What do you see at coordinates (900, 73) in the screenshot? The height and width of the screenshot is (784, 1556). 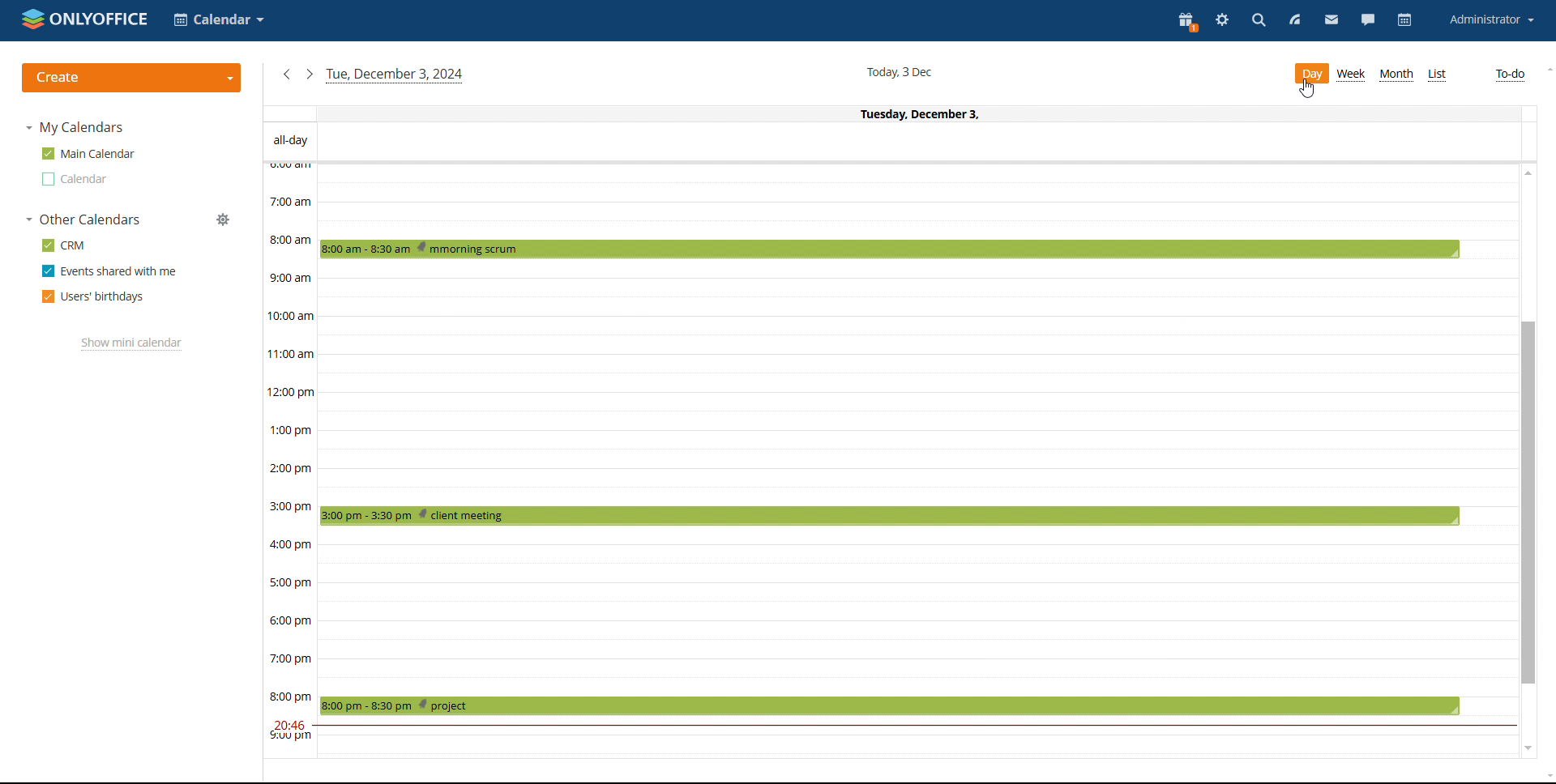 I see `current date` at bounding box center [900, 73].